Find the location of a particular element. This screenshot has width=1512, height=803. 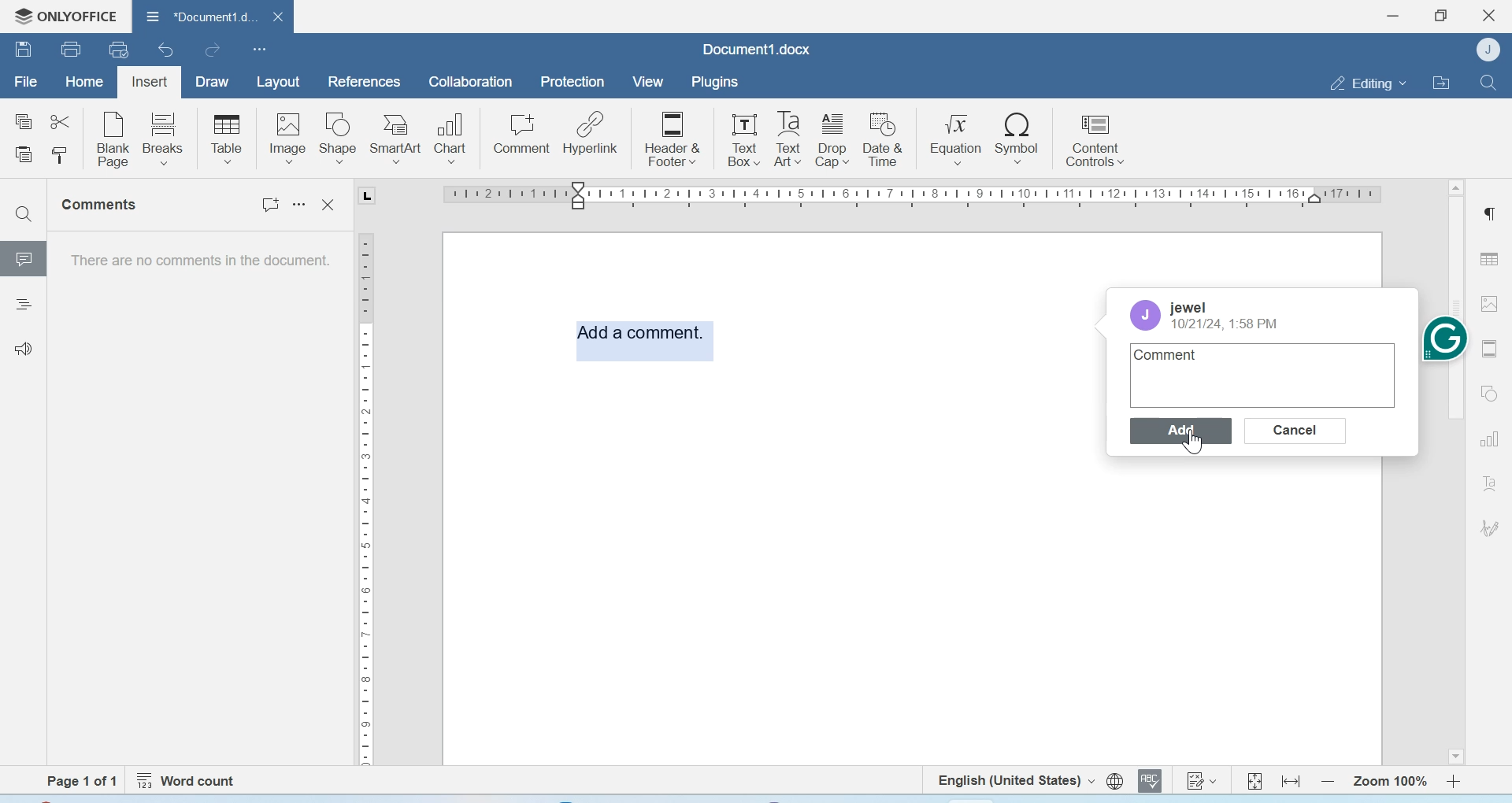

 is located at coordinates (1488, 50).